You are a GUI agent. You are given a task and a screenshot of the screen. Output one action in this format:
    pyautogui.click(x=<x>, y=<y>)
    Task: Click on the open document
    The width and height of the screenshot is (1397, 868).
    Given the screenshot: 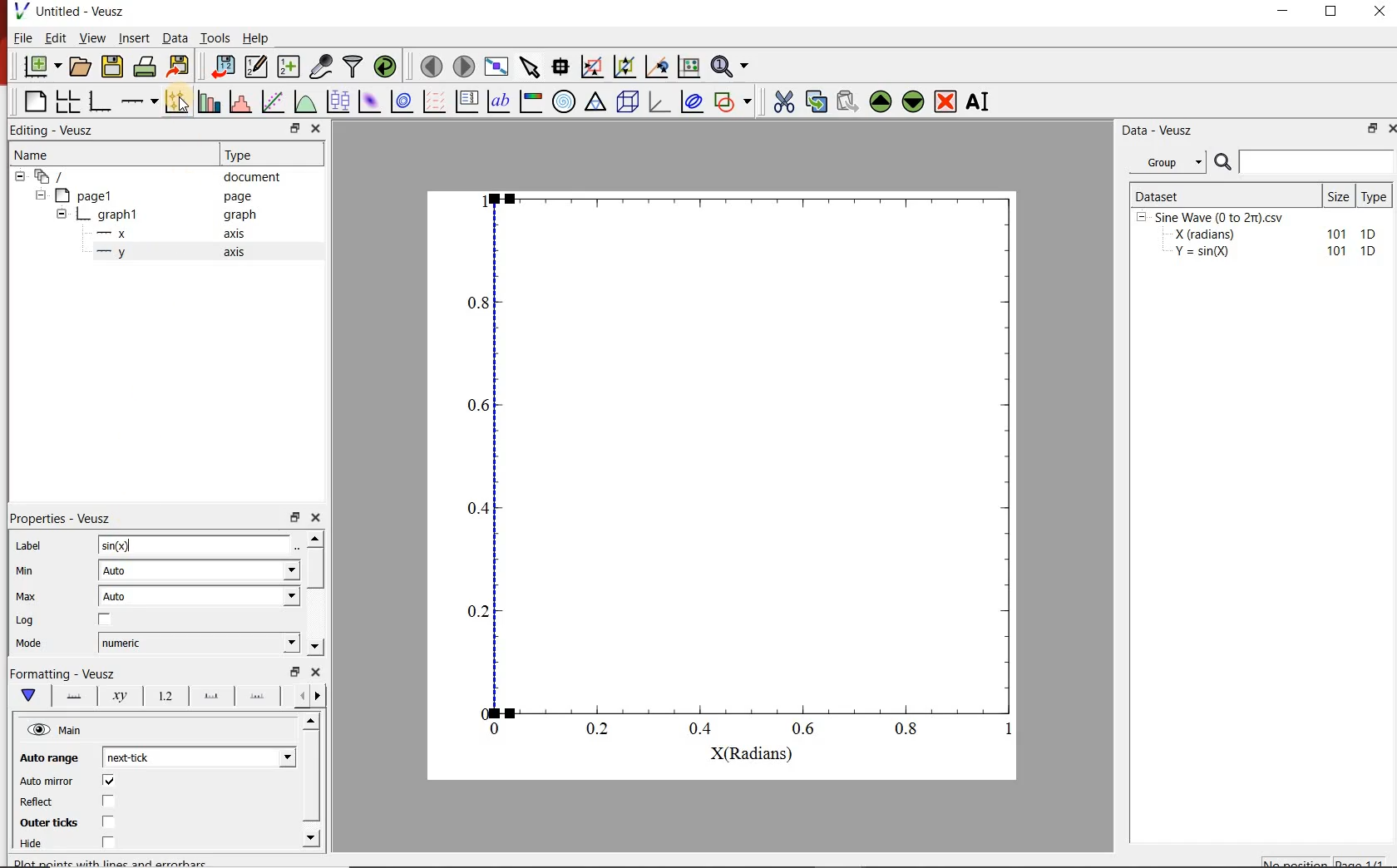 What is the action you would take?
    pyautogui.click(x=81, y=67)
    